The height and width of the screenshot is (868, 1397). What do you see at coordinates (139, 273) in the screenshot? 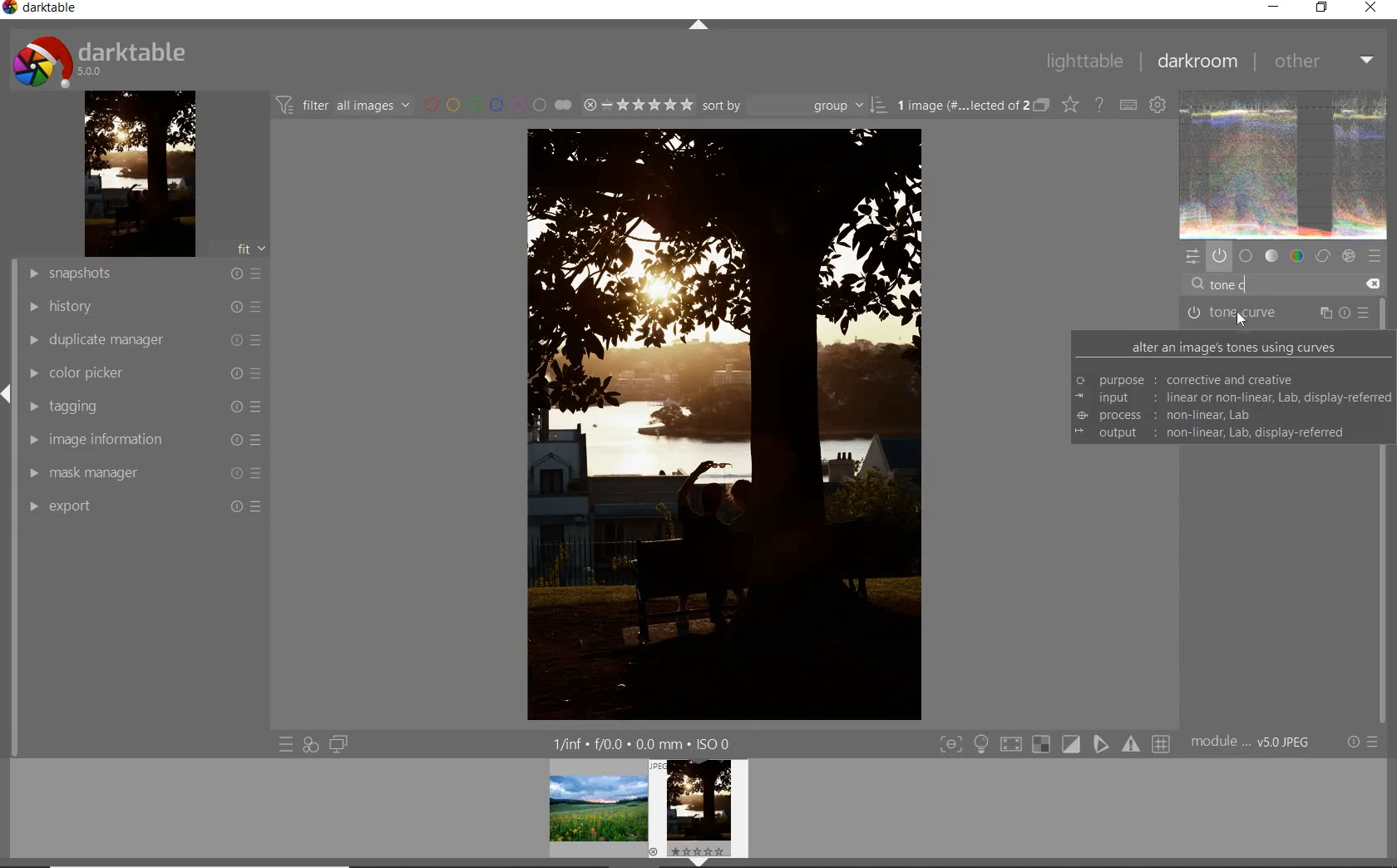
I see `snapshots` at bounding box center [139, 273].